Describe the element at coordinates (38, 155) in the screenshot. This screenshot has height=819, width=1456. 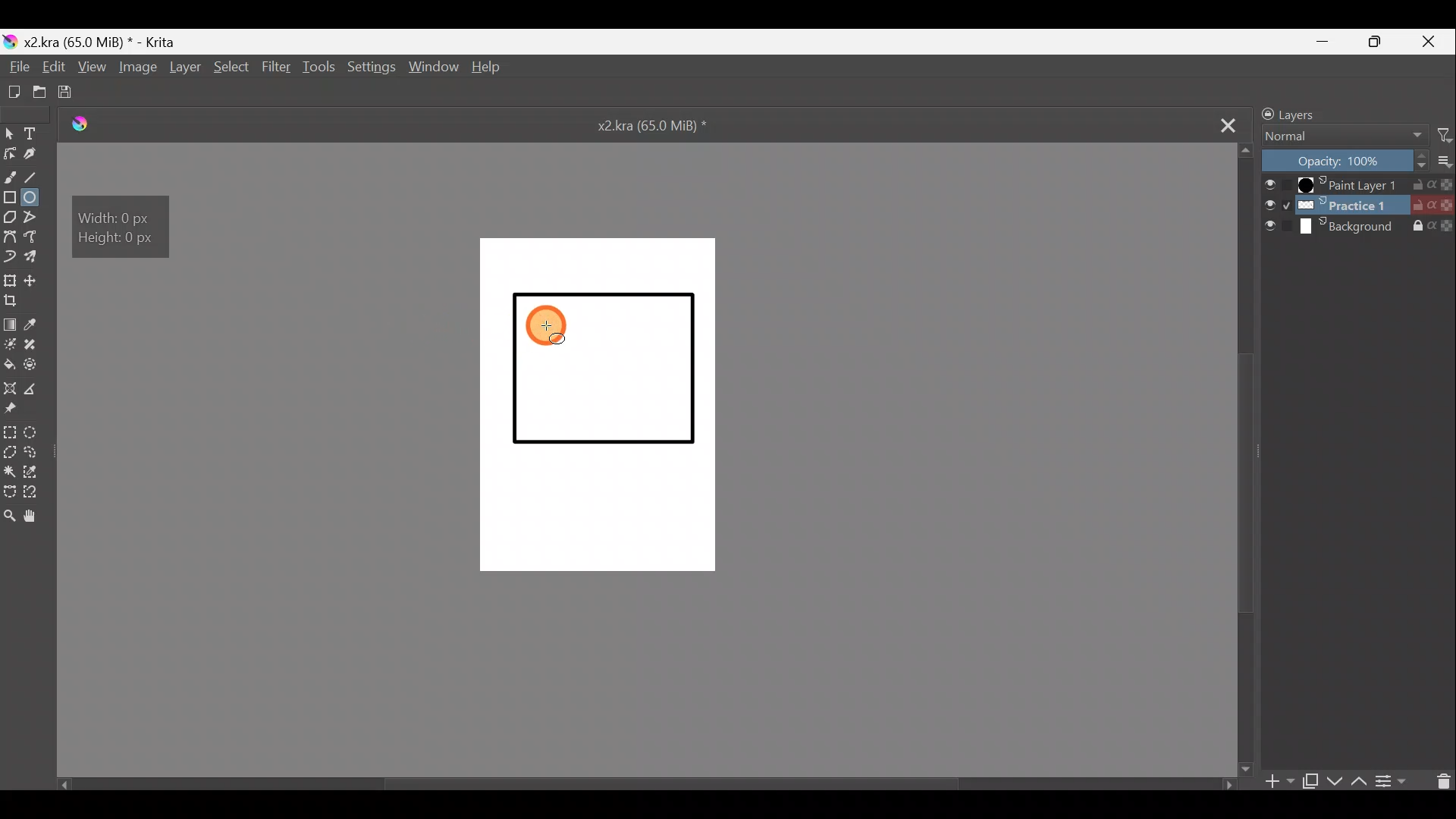
I see `Calligraphy` at that location.